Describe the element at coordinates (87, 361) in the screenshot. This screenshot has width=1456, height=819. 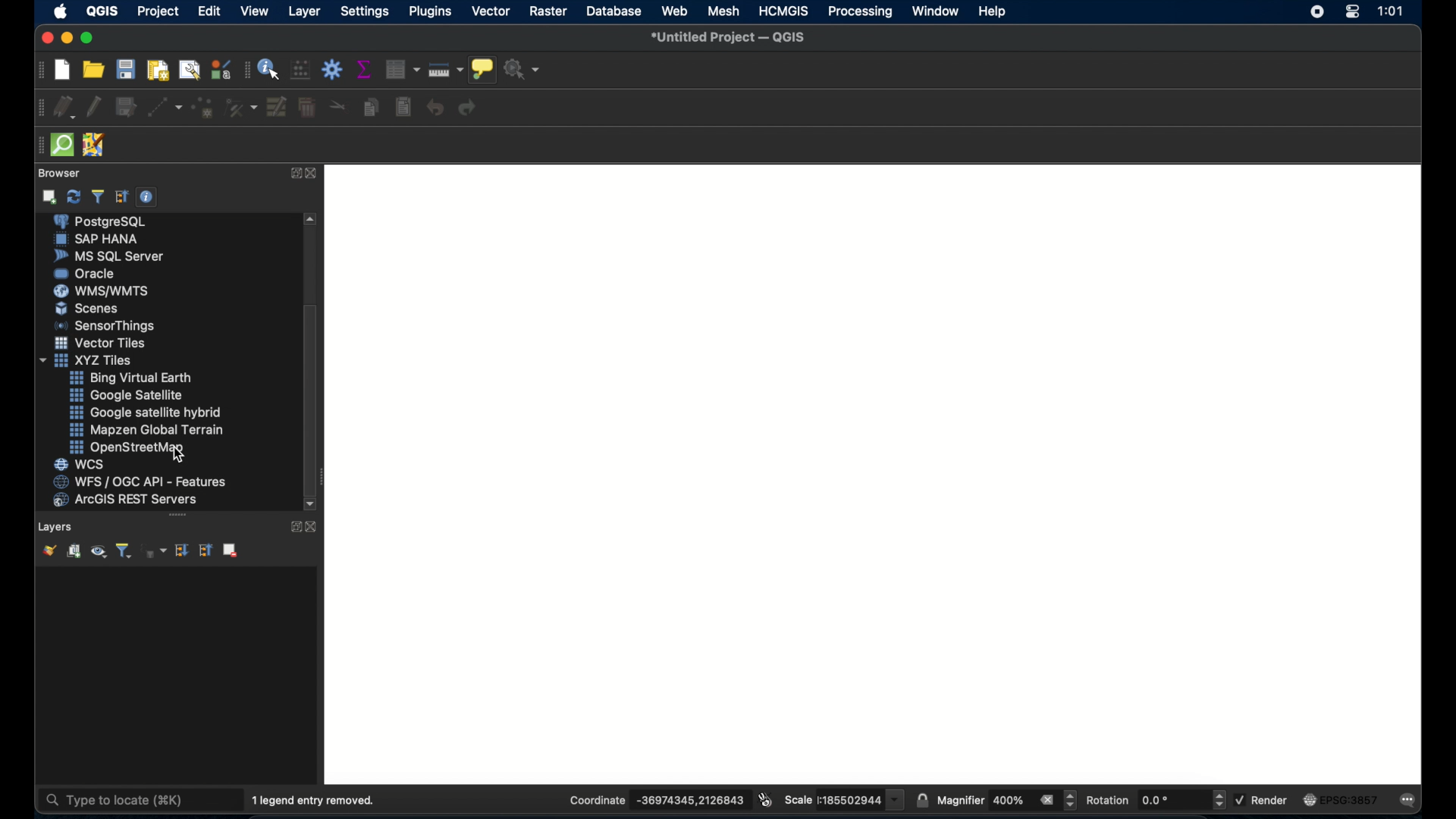
I see `xyz tiles` at that location.